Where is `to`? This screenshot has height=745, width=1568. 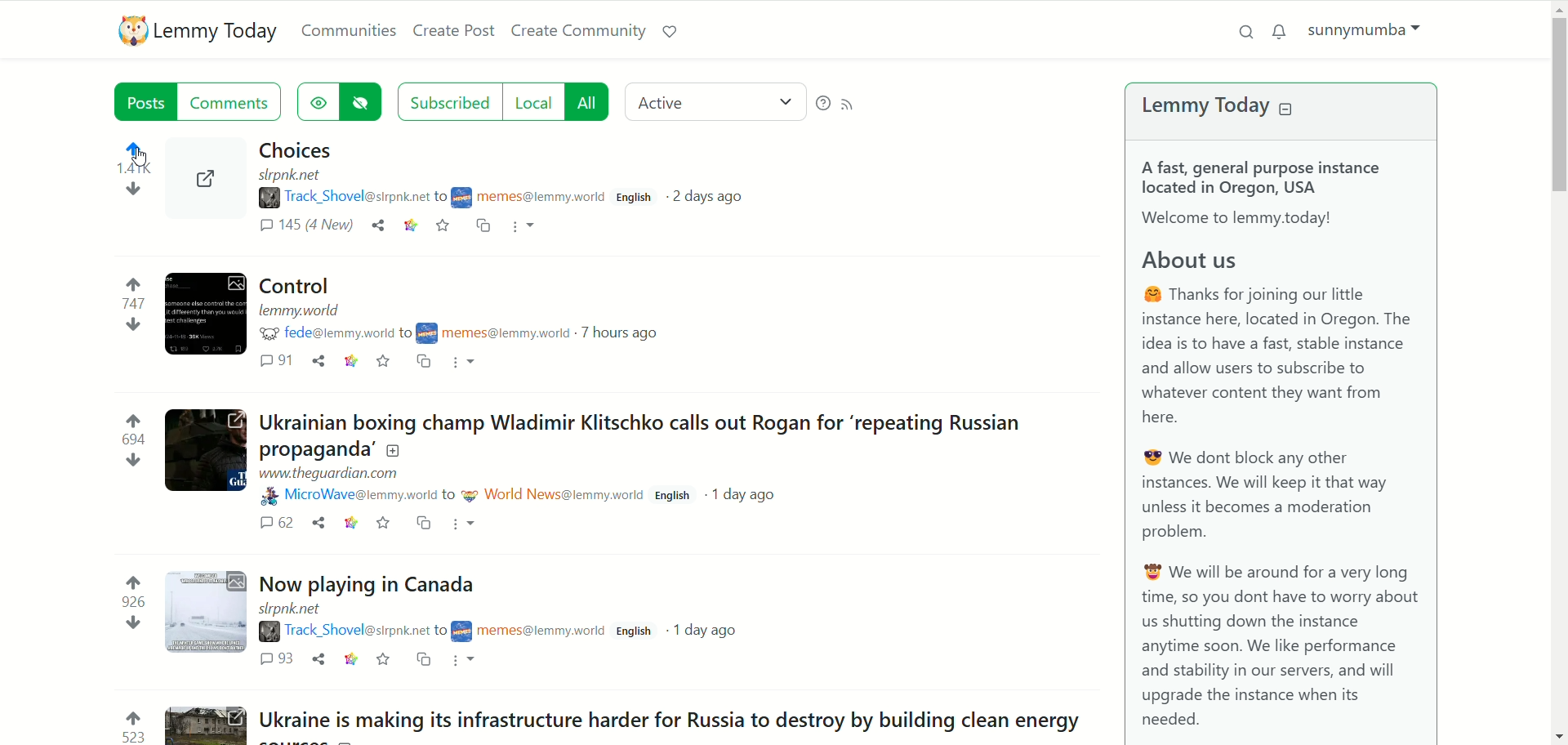
to is located at coordinates (439, 633).